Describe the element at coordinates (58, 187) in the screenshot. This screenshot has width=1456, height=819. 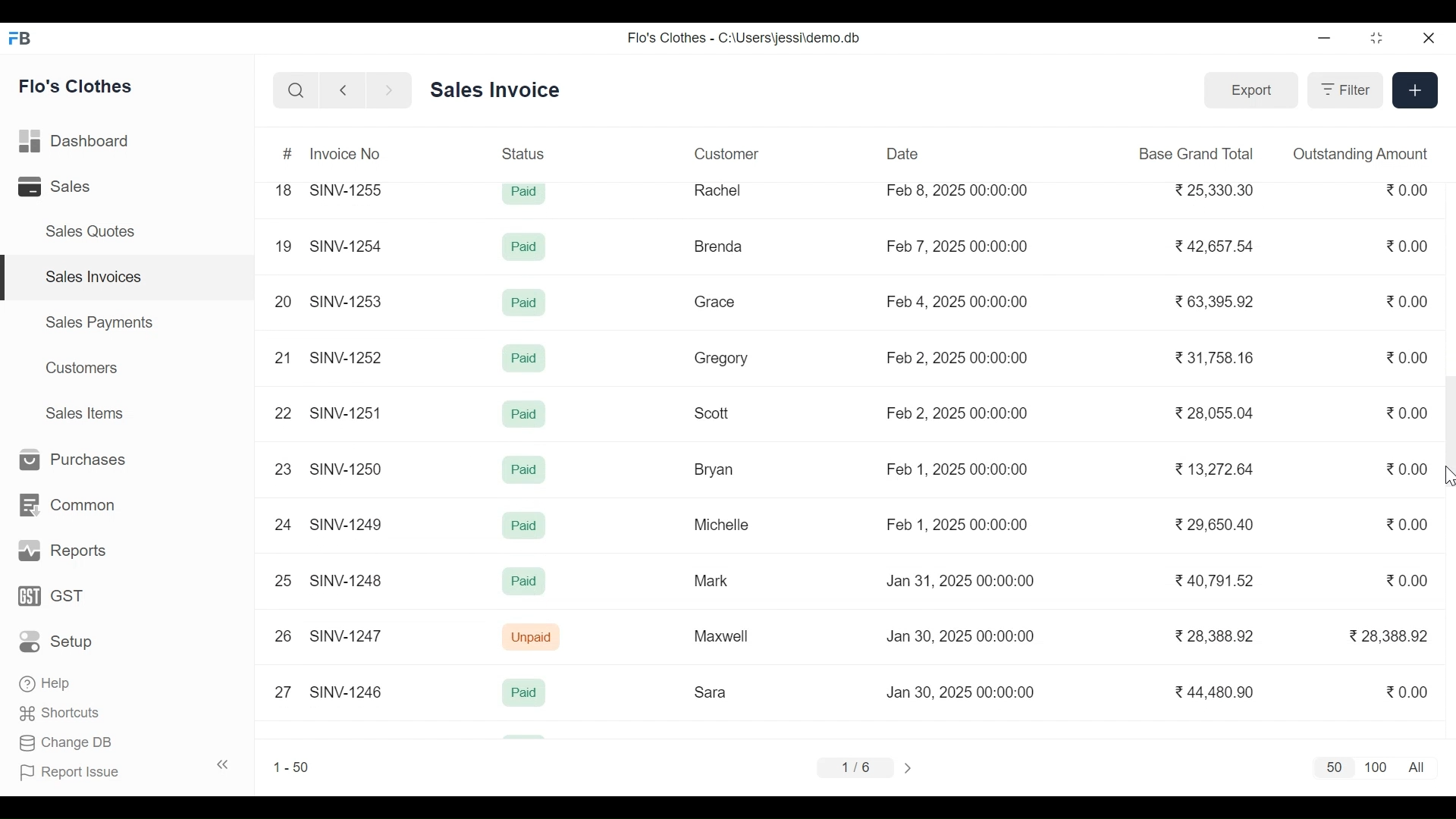
I see `Sales` at that location.